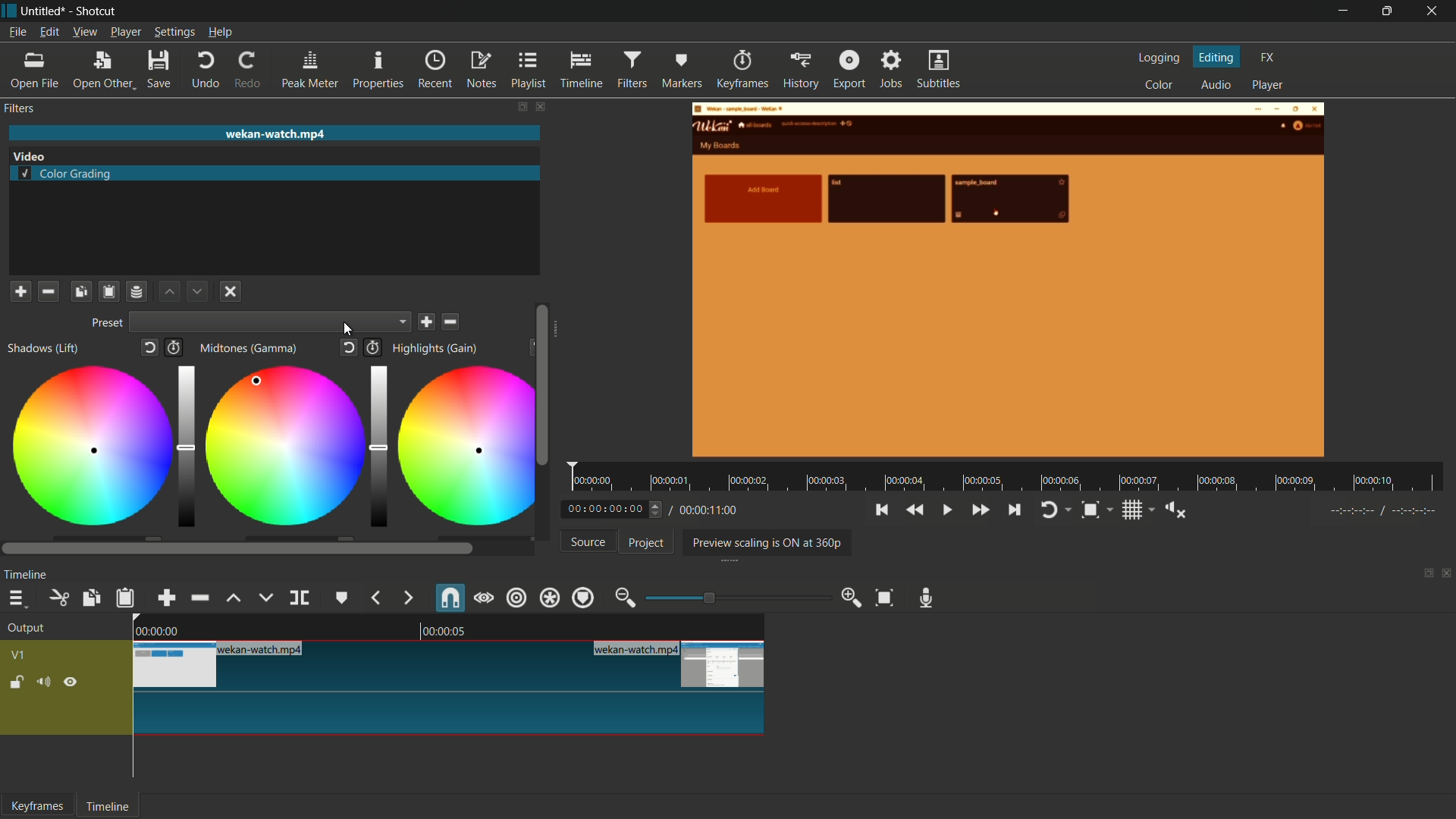  What do you see at coordinates (107, 322) in the screenshot?
I see `preset` at bounding box center [107, 322].